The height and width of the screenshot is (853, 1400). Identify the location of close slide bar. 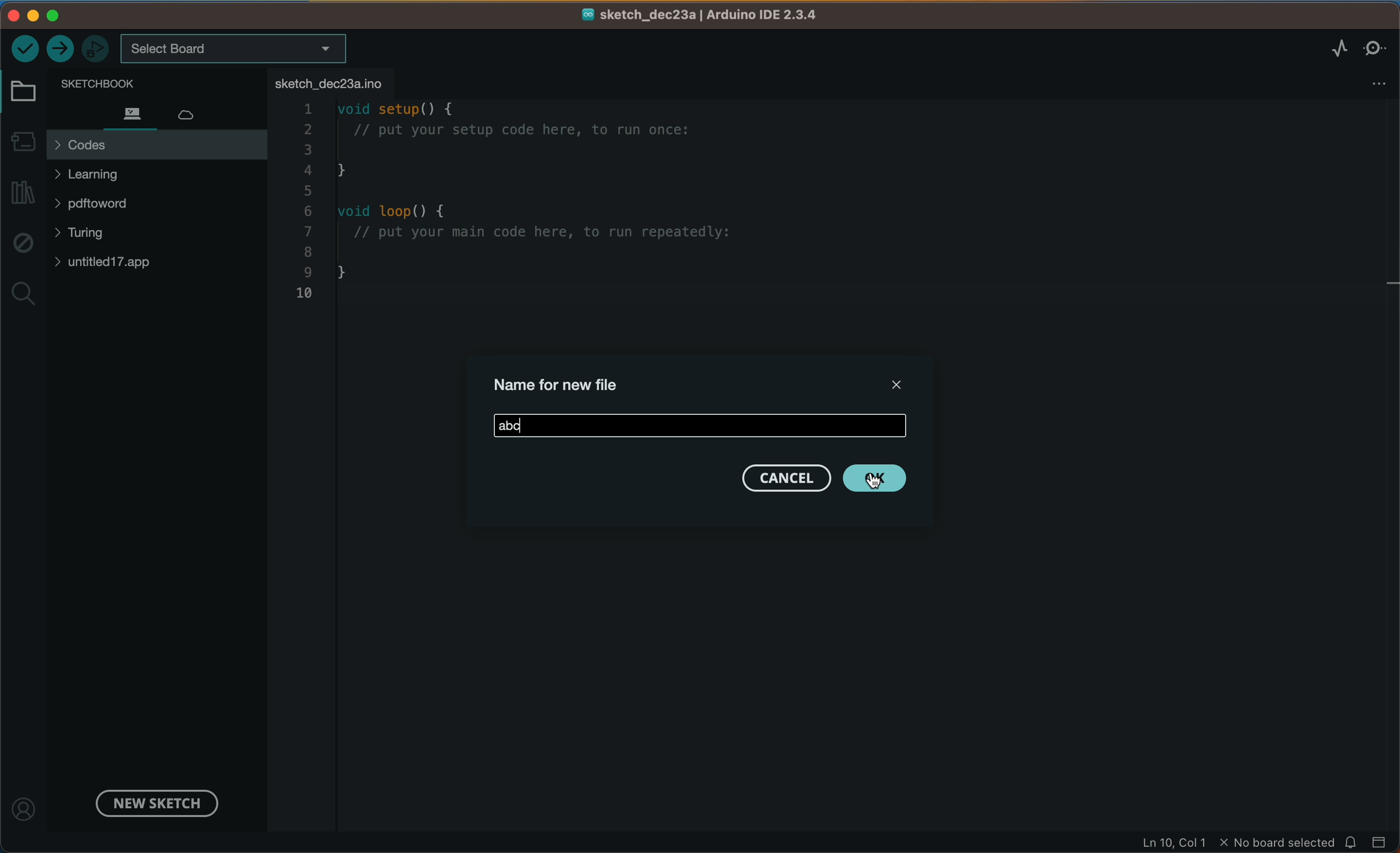
(1380, 841).